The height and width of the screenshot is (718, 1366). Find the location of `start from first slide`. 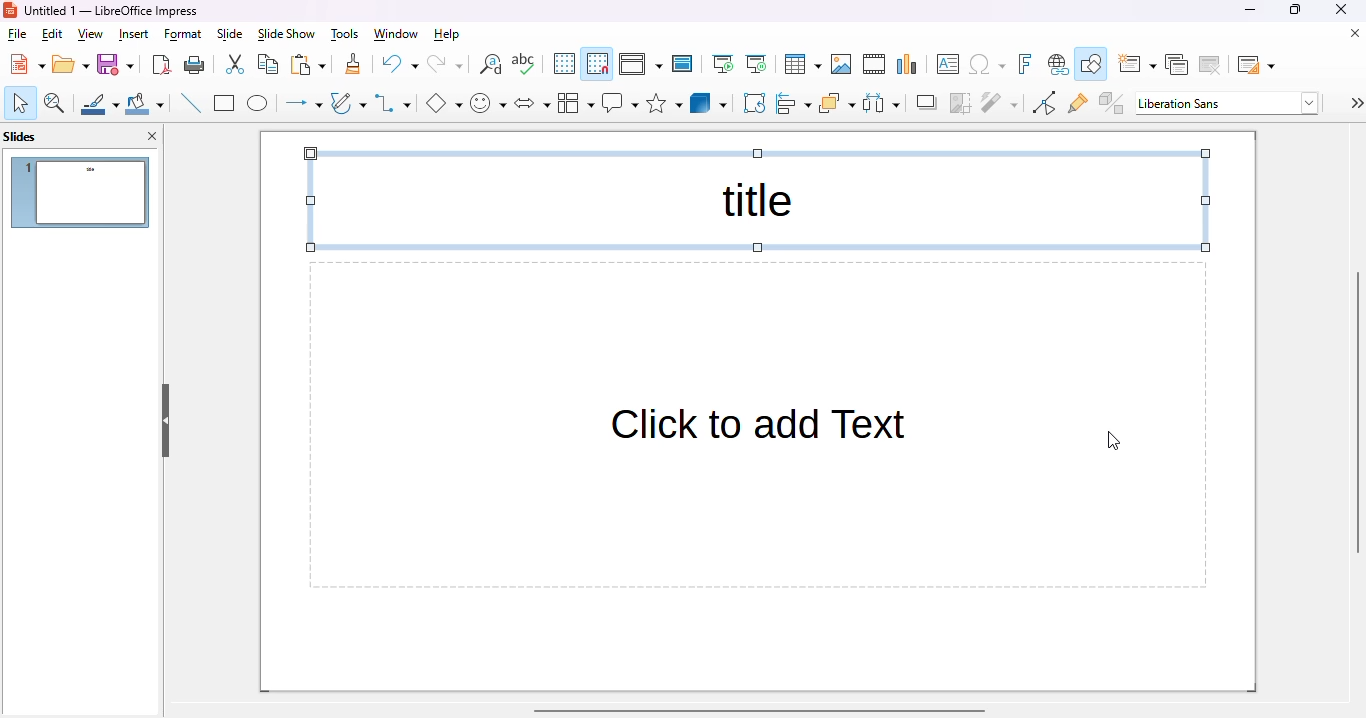

start from first slide is located at coordinates (725, 64).